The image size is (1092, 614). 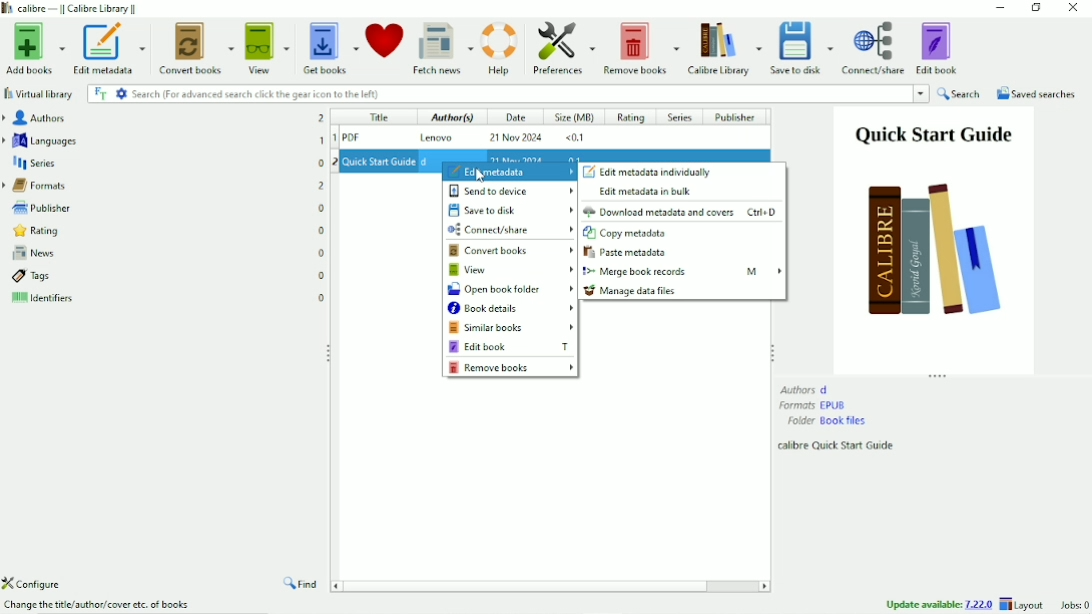 What do you see at coordinates (505, 191) in the screenshot?
I see `Send to device` at bounding box center [505, 191].